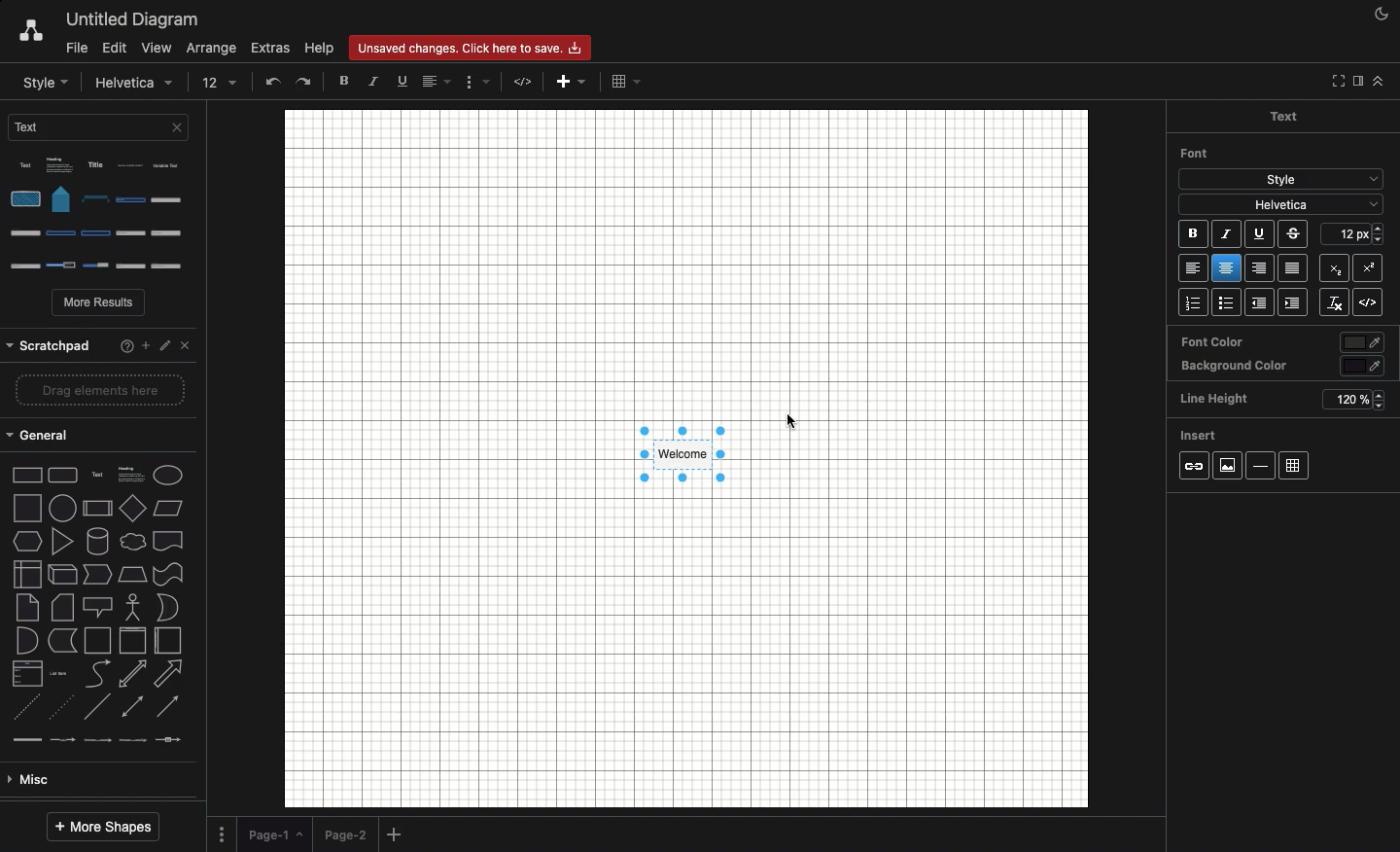 Image resolution: width=1400 pixels, height=852 pixels. Describe the element at coordinates (1191, 234) in the screenshot. I see `Bold` at that location.